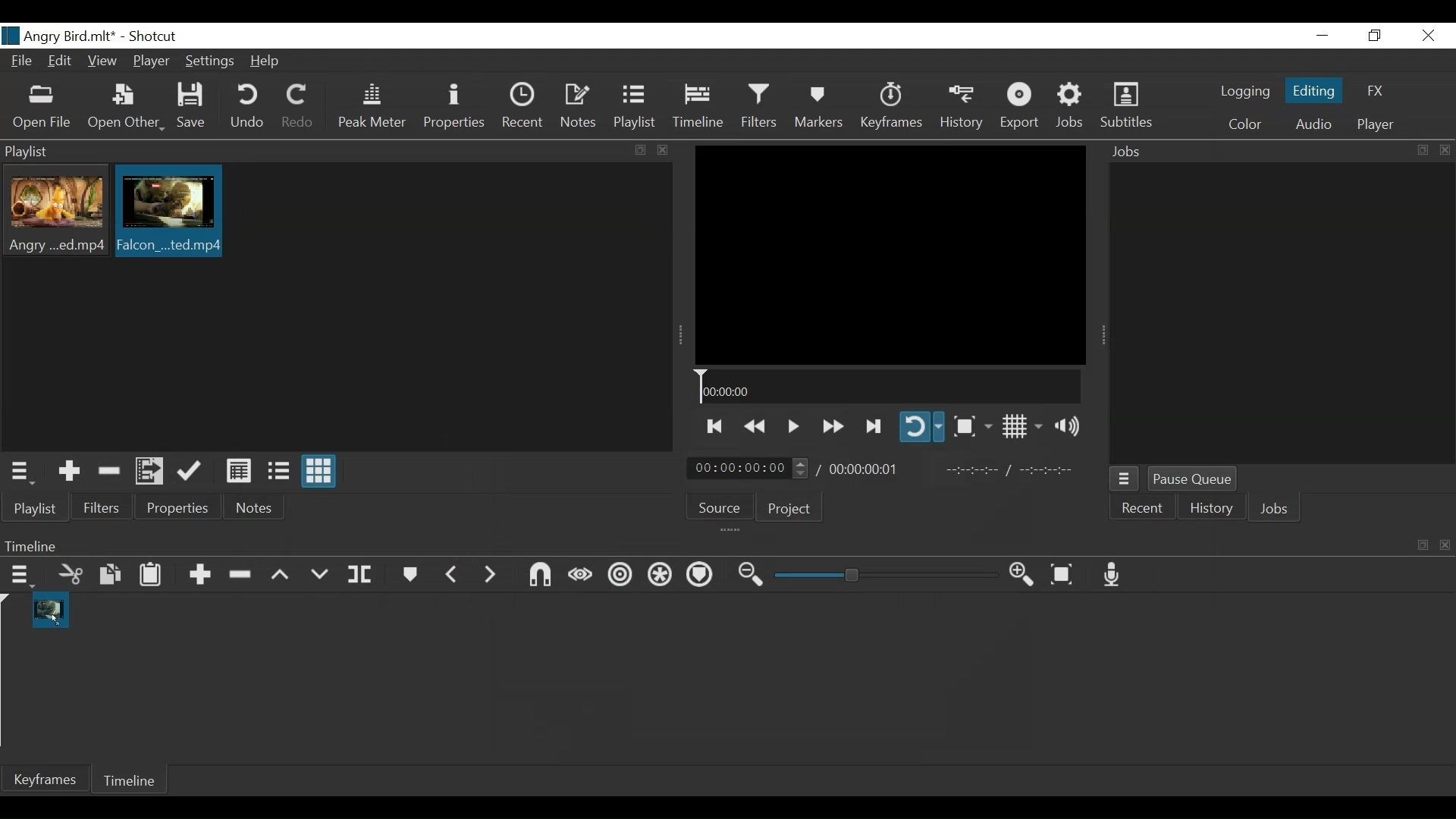 This screenshot has width=1456, height=819. Describe the element at coordinates (278, 472) in the screenshot. I see `View as files` at that location.